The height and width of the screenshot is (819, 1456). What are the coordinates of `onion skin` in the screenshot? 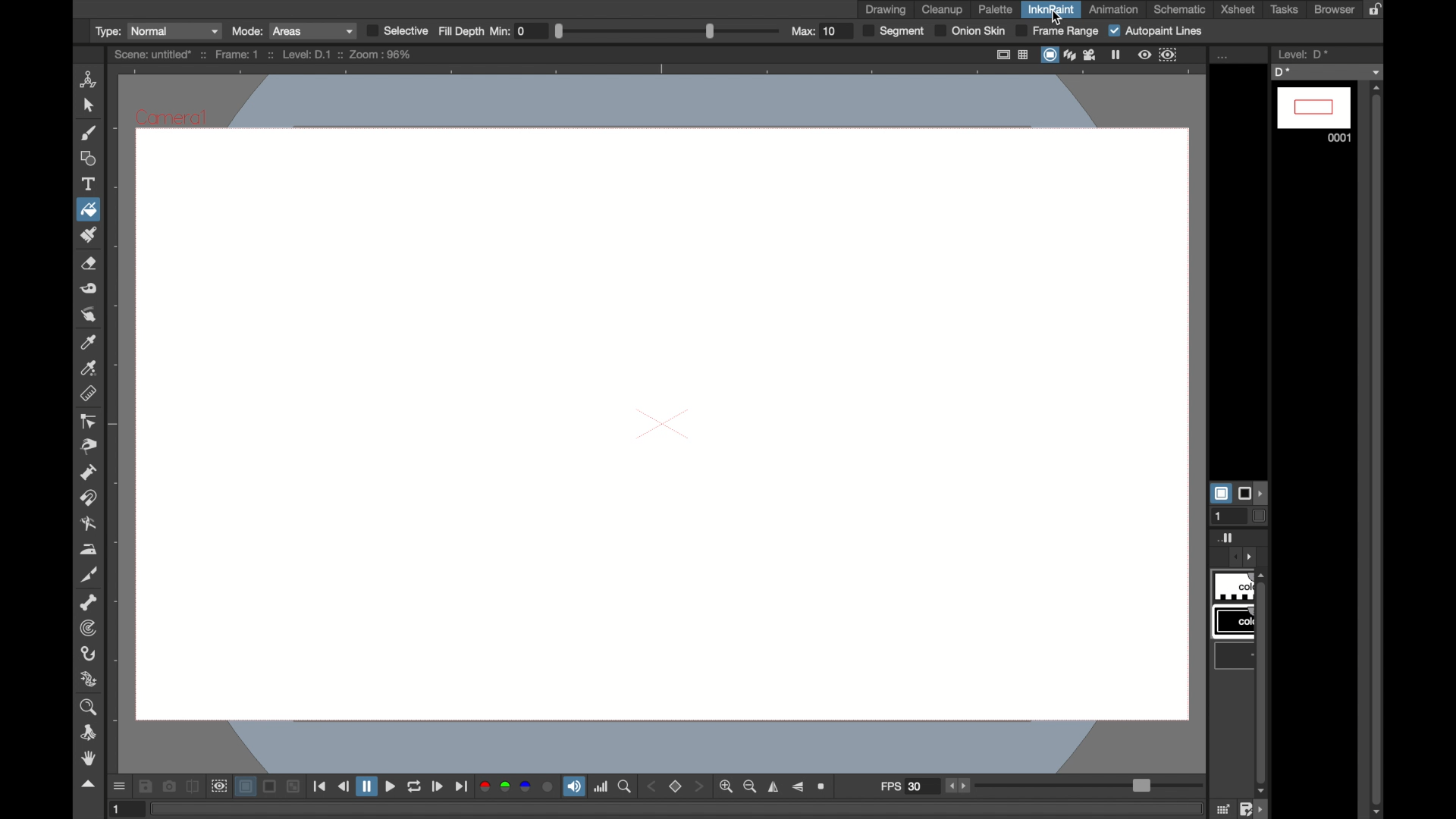 It's located at (971, 30).